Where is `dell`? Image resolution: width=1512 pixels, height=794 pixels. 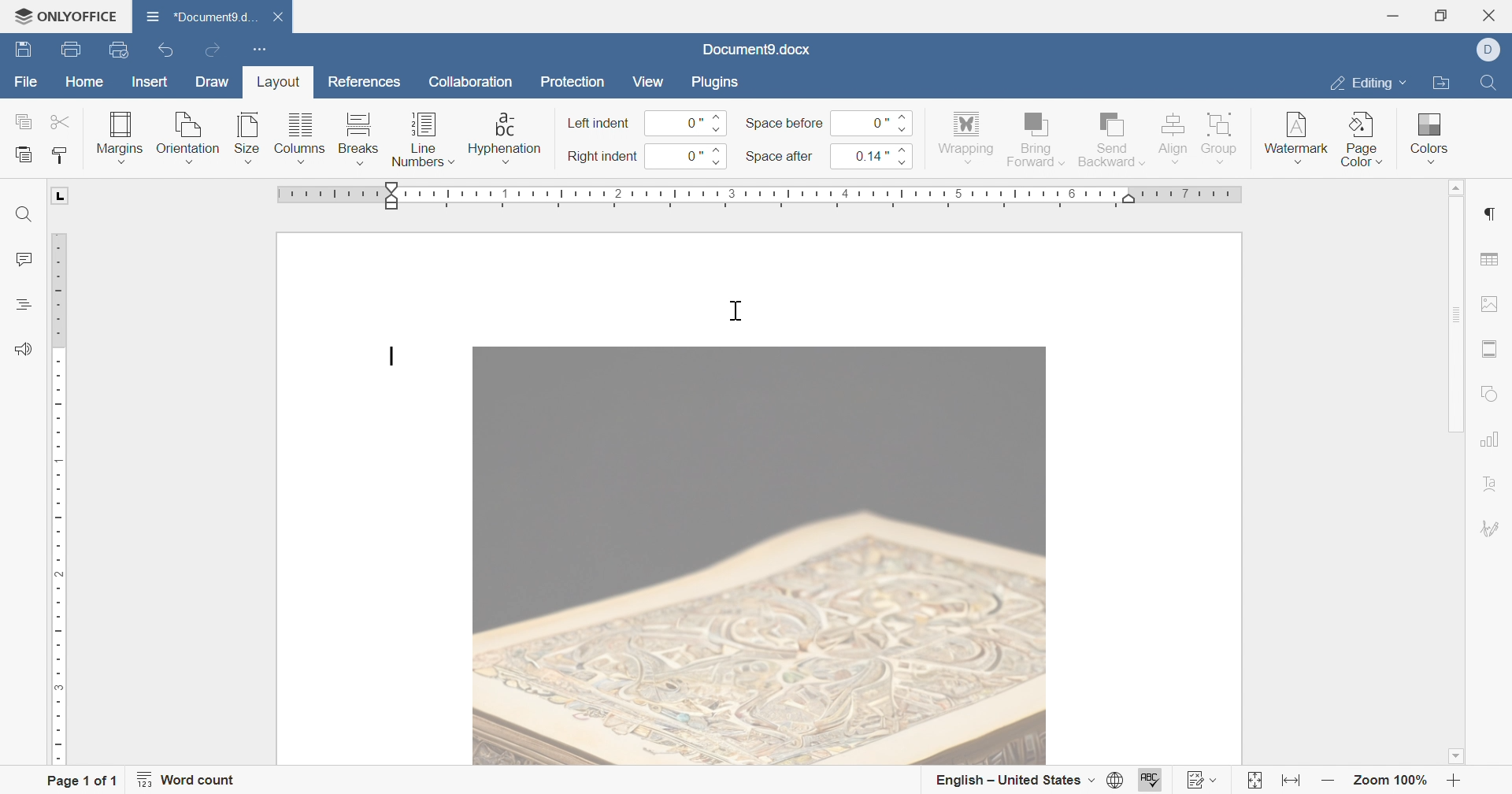
dell is located at coordinates (1494, 50).